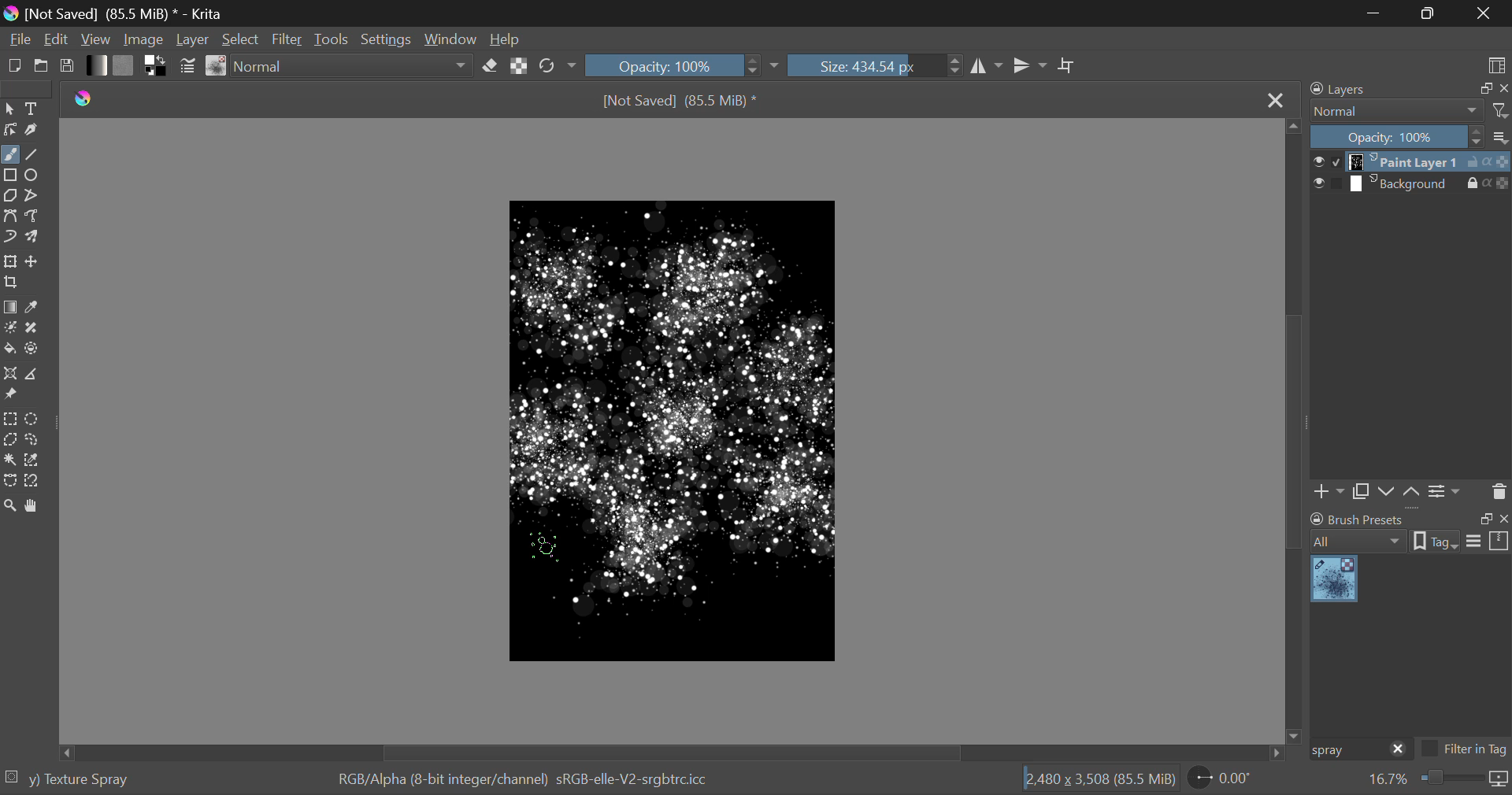 Image resolution: width=1512 pixels, height=795 pixels. What do you see at coordinates (1397, 138) in the screenshot?
I see `Opacity: 100%` at bounding box center [1397, 138].